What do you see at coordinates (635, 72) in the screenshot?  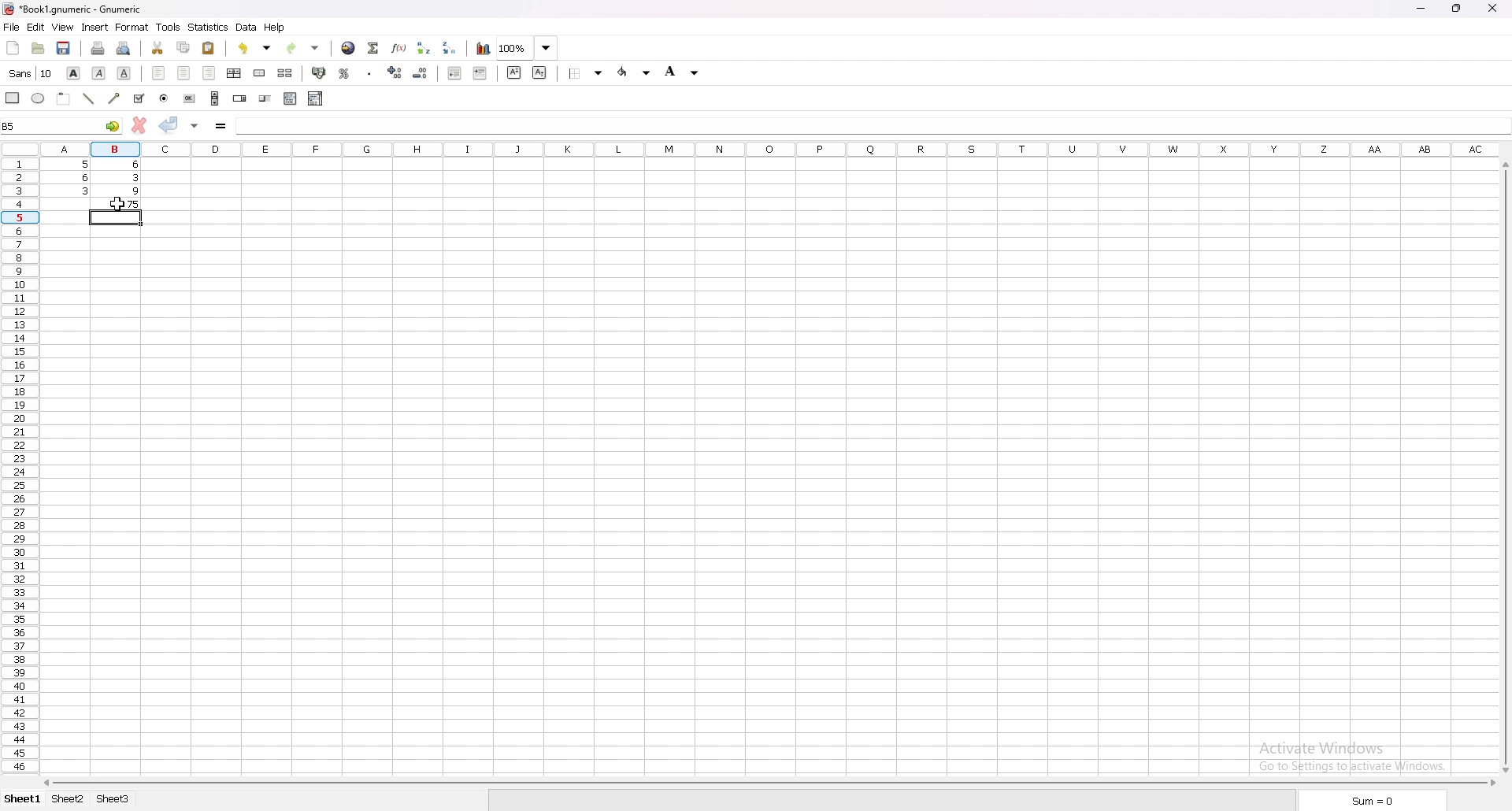 I see `background` at bounding box center [635, 72].